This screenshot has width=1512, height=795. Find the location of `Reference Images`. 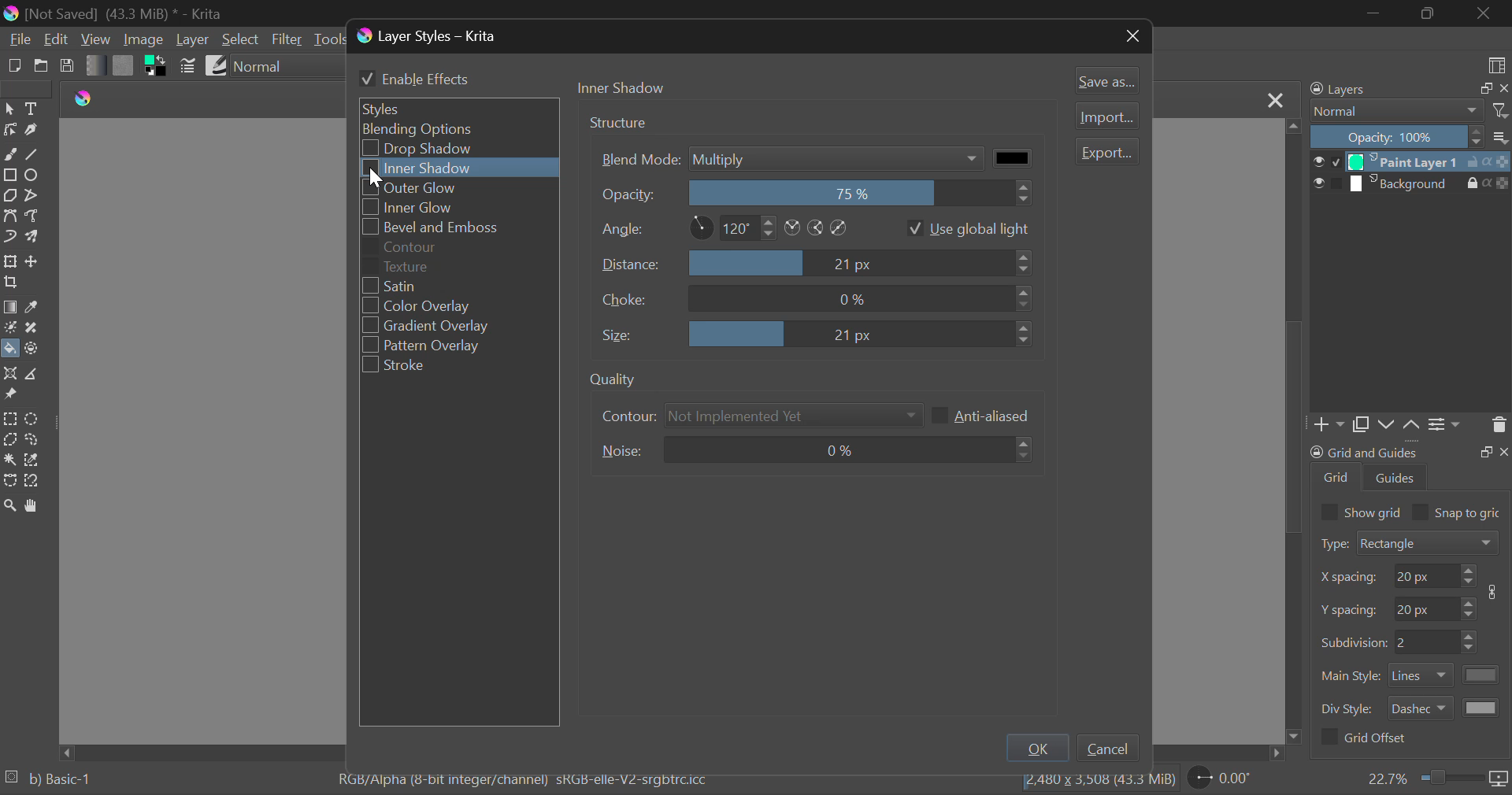

Reference Images is located at coordinates (9, 394).